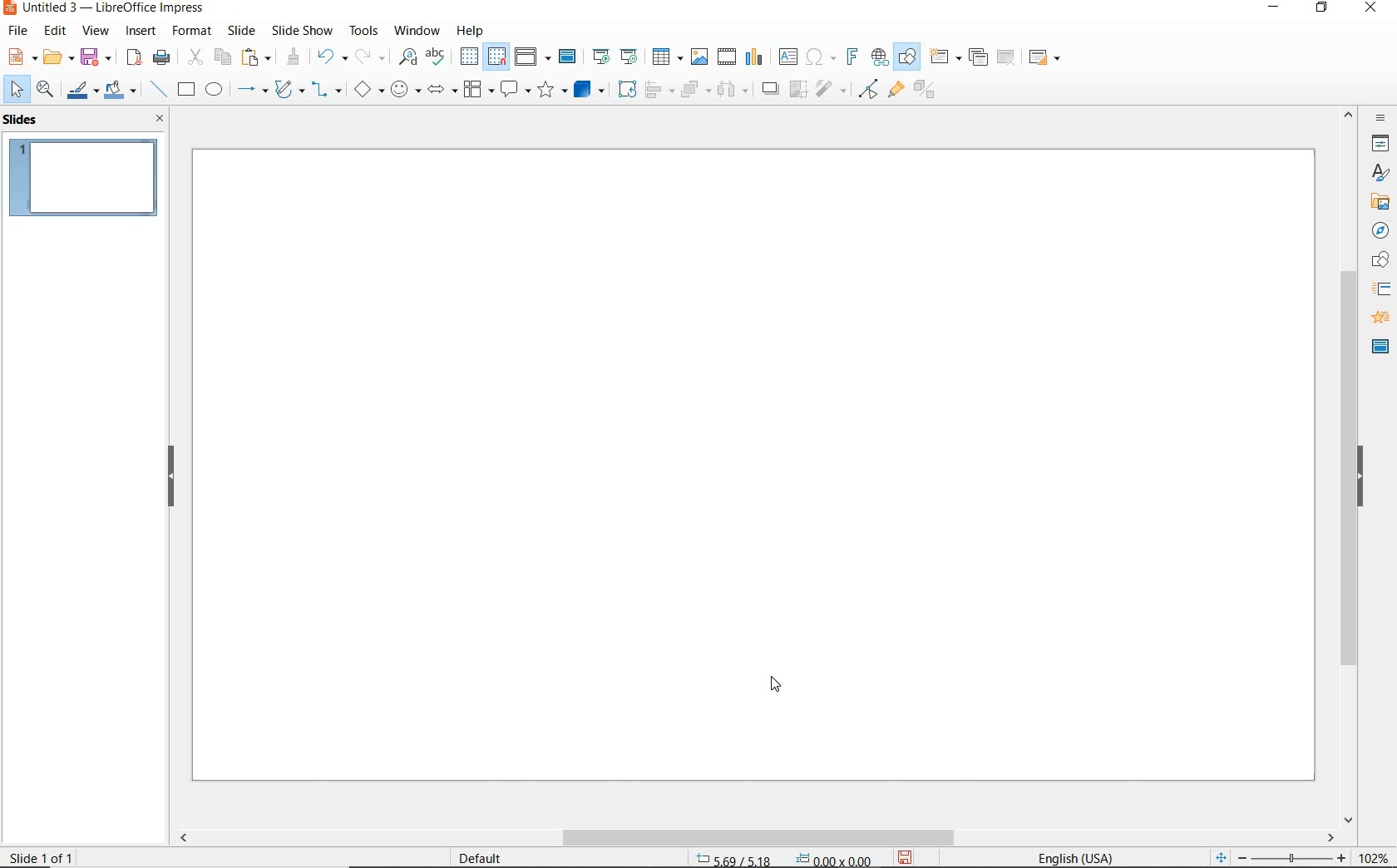 The image size is (1397, 868). What do you see at coordinates (664, 57) in the screenshot?
I see `TABLE` at bounding box center [664, 57].